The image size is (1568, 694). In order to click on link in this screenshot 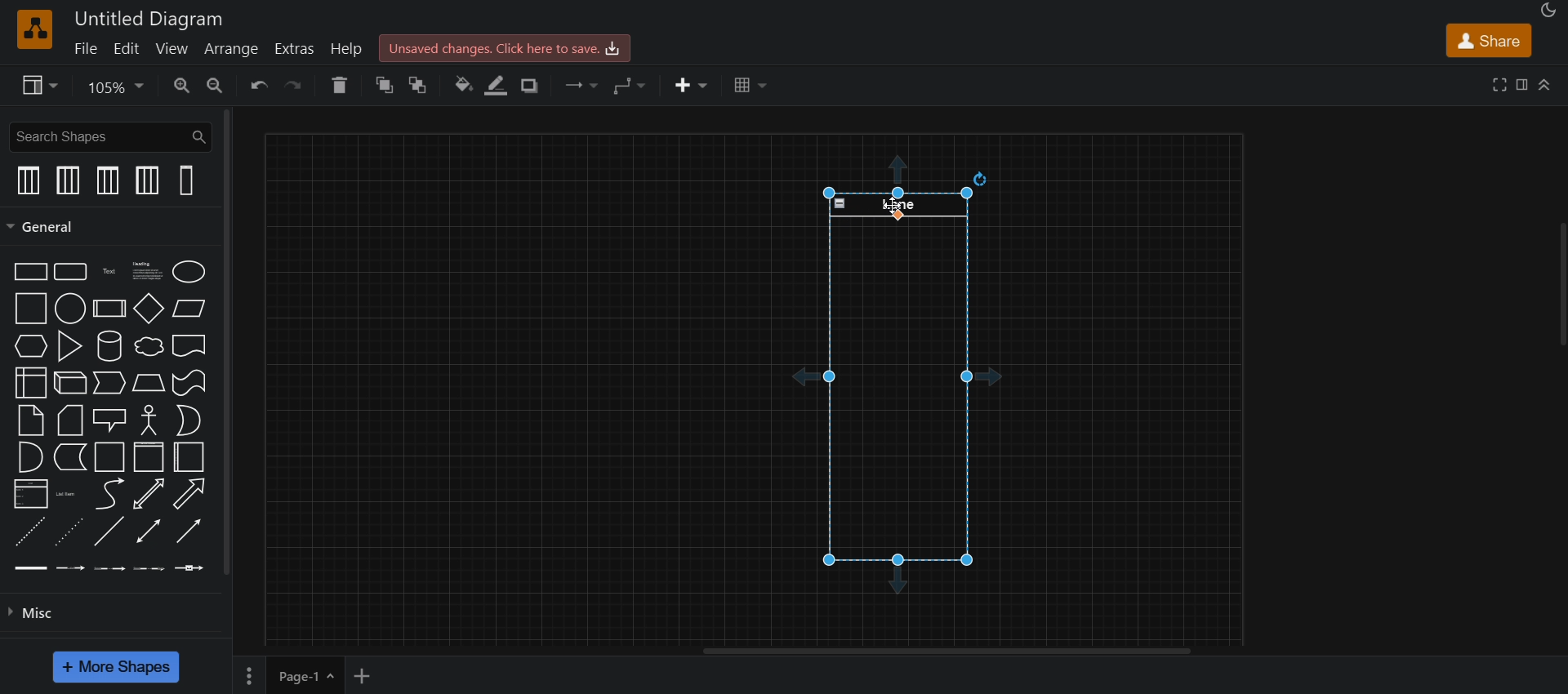, I will do `click(31, 568)`.